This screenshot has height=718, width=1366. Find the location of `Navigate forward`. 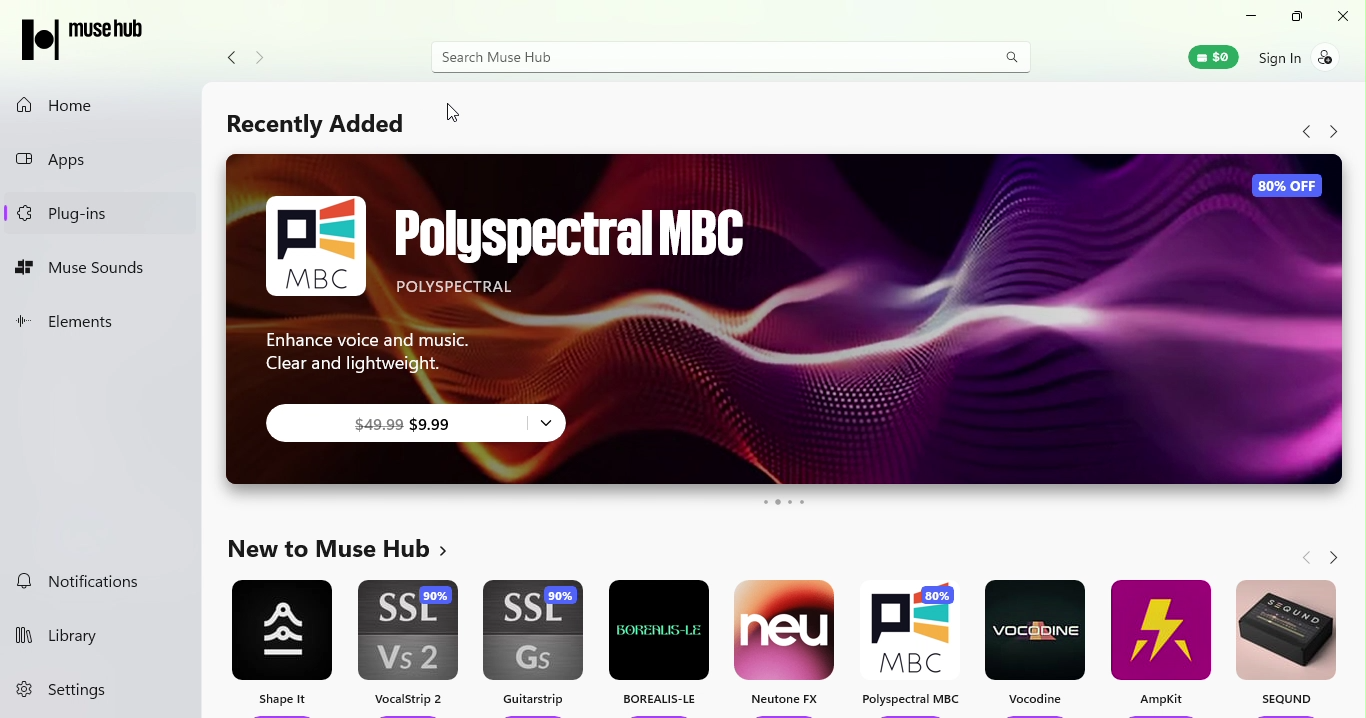

Navigate forward is located at coordinates (1341, 131).